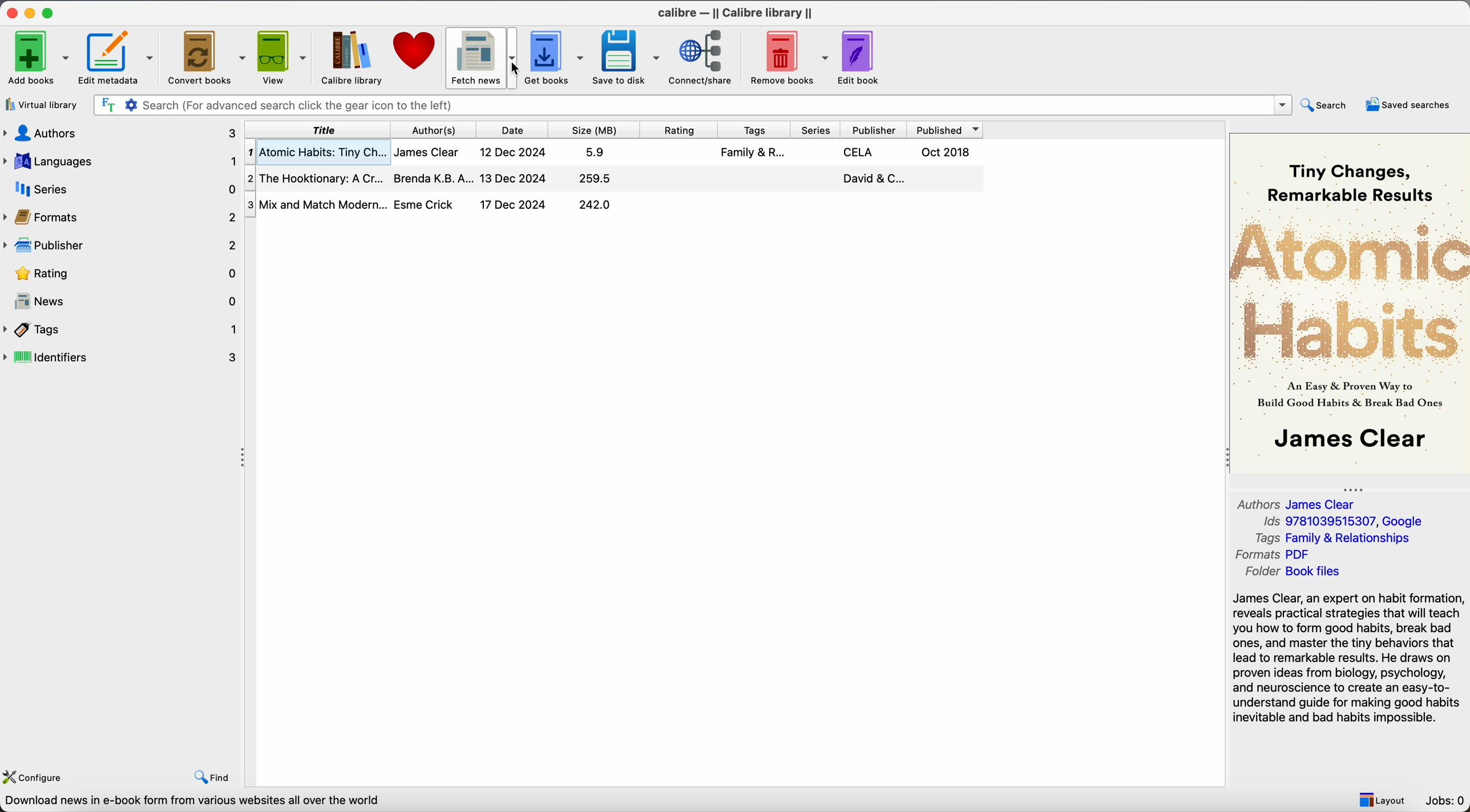  Describe the element at coordinates (1275, 555) in the screenshot. I see `Formats Pdf` at that location.